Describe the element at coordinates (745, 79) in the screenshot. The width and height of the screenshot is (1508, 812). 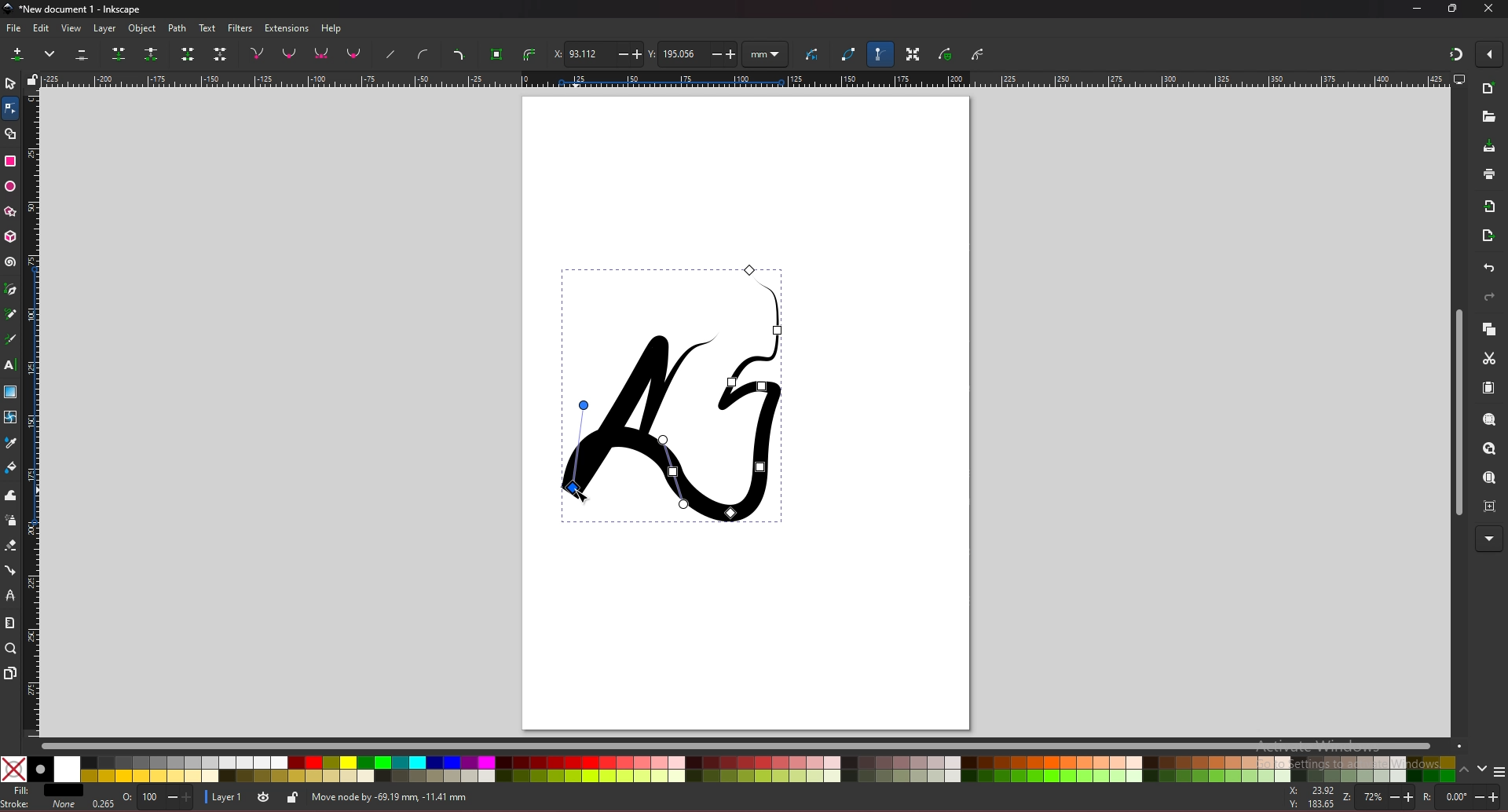
I see `horizontal scale` at that location.